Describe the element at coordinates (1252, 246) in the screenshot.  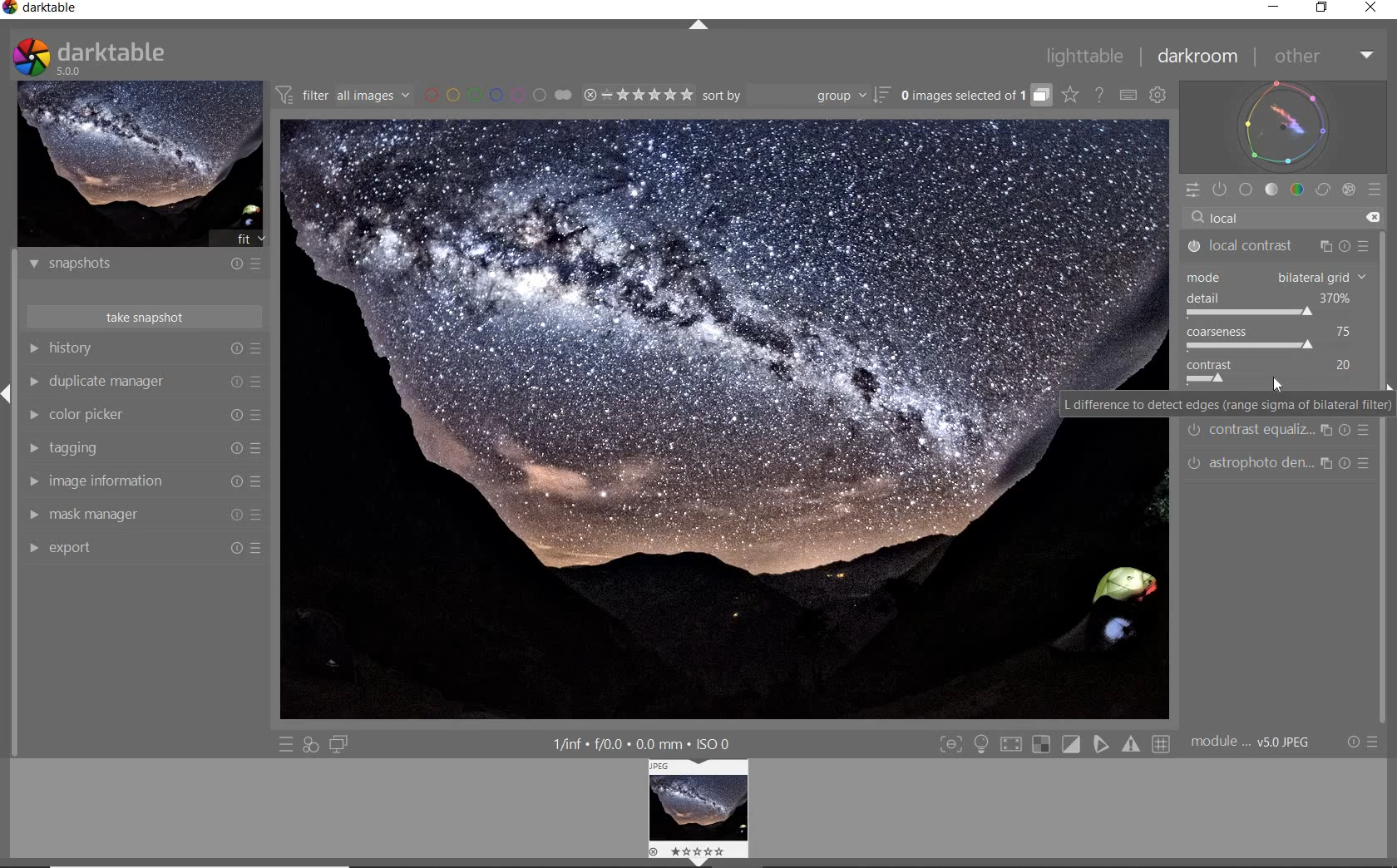
I see `local contrast` at that location.